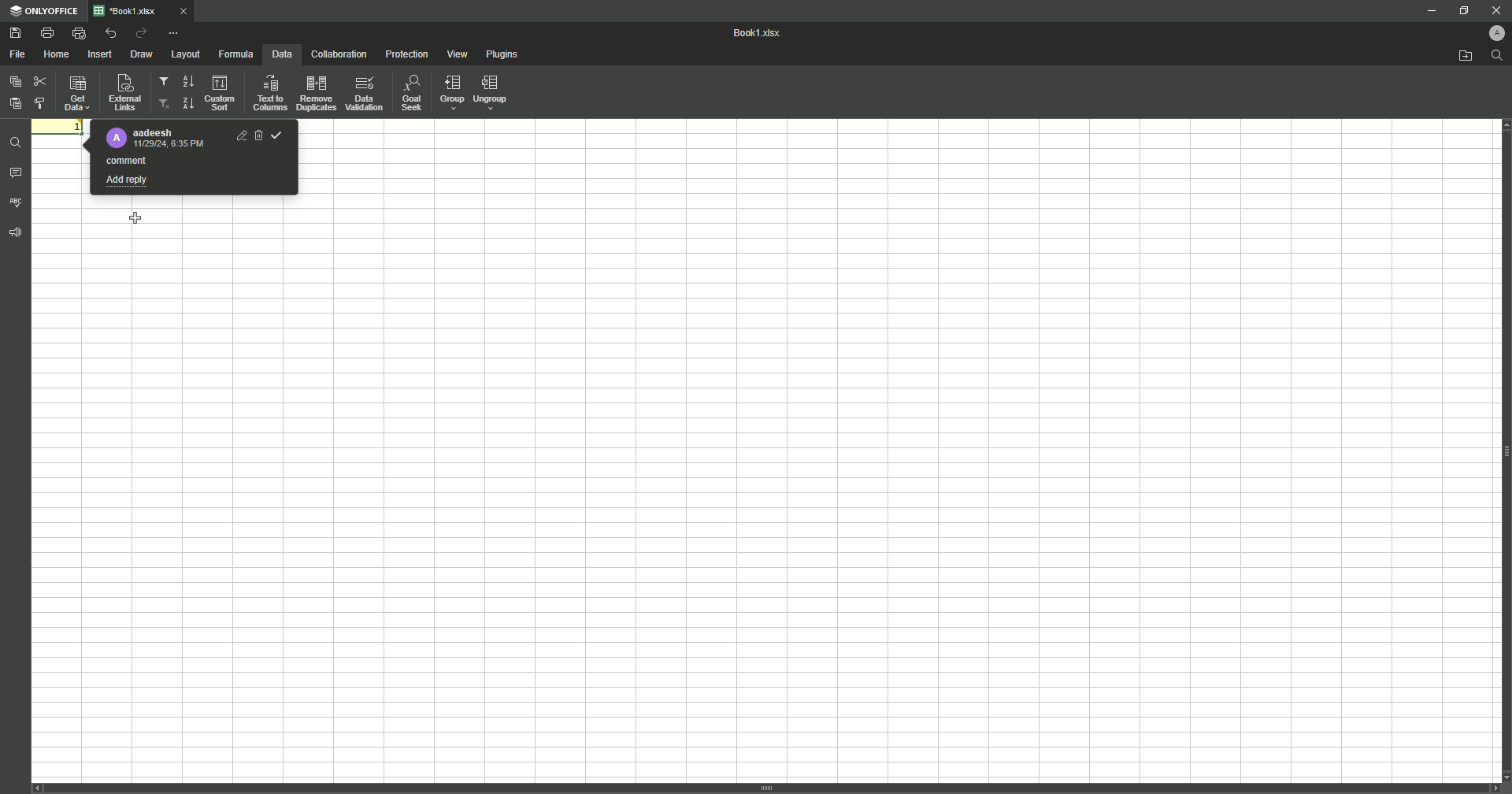  I want to click on Custom Sort, so click(221, 94).